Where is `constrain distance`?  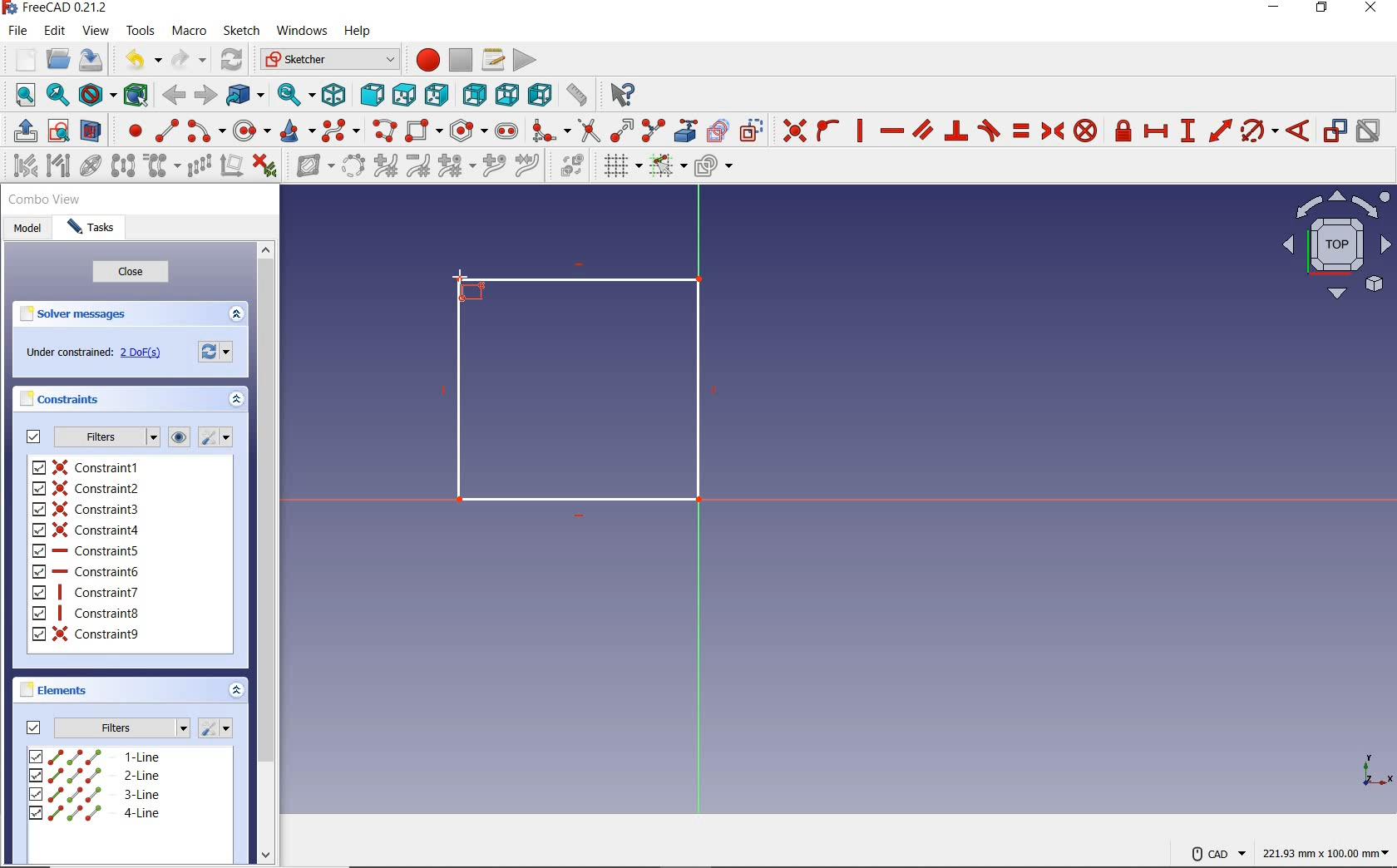 constrain distance is located at coordinates (1219, 131).